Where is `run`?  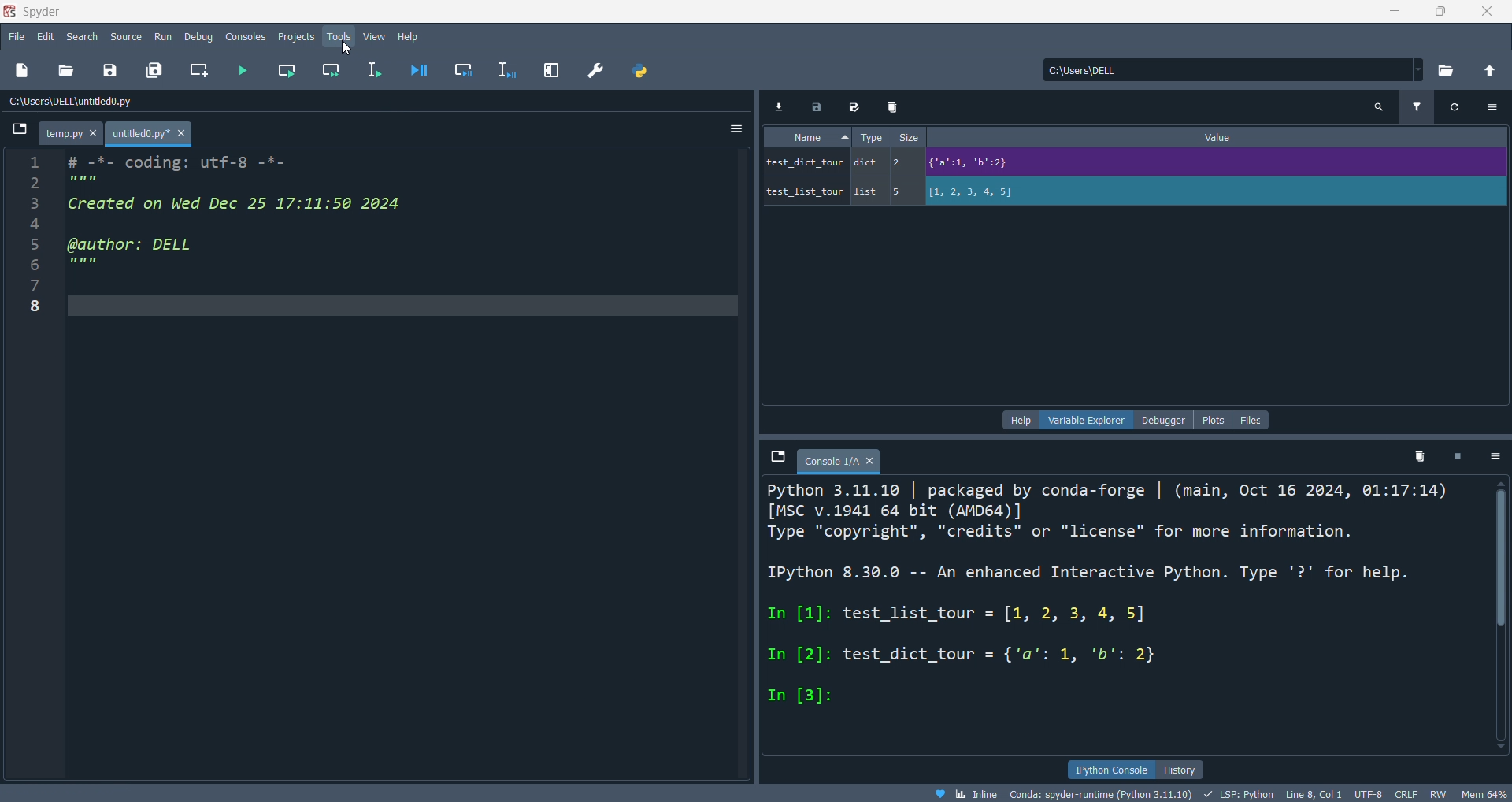 run is located at coordinates (165, 36).